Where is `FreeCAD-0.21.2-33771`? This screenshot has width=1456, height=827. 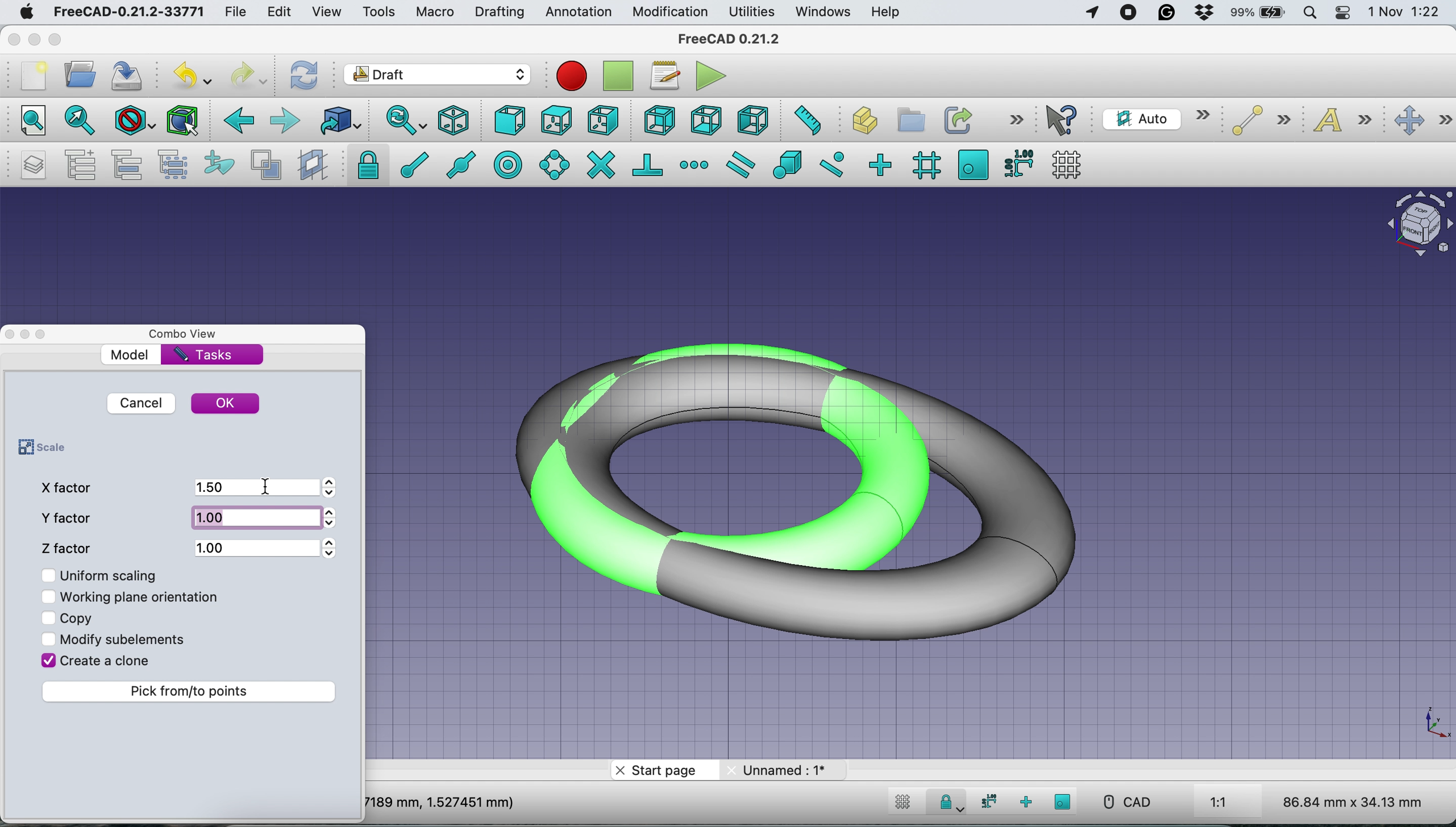
FreeCAD-0.21.2-33771 is located at coordinates (130, 11).